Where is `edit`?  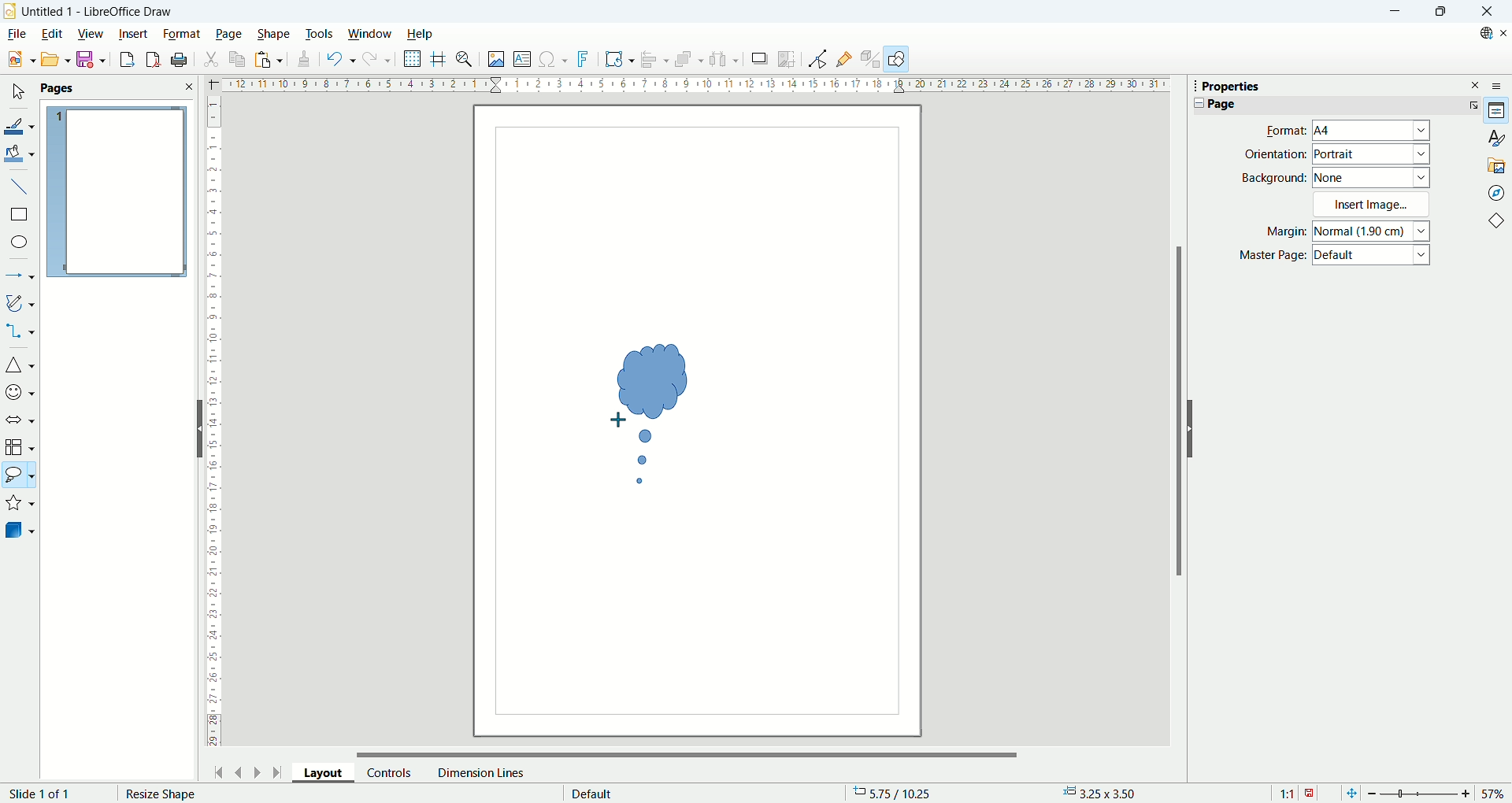 edit is located at coordinates (51, 35).